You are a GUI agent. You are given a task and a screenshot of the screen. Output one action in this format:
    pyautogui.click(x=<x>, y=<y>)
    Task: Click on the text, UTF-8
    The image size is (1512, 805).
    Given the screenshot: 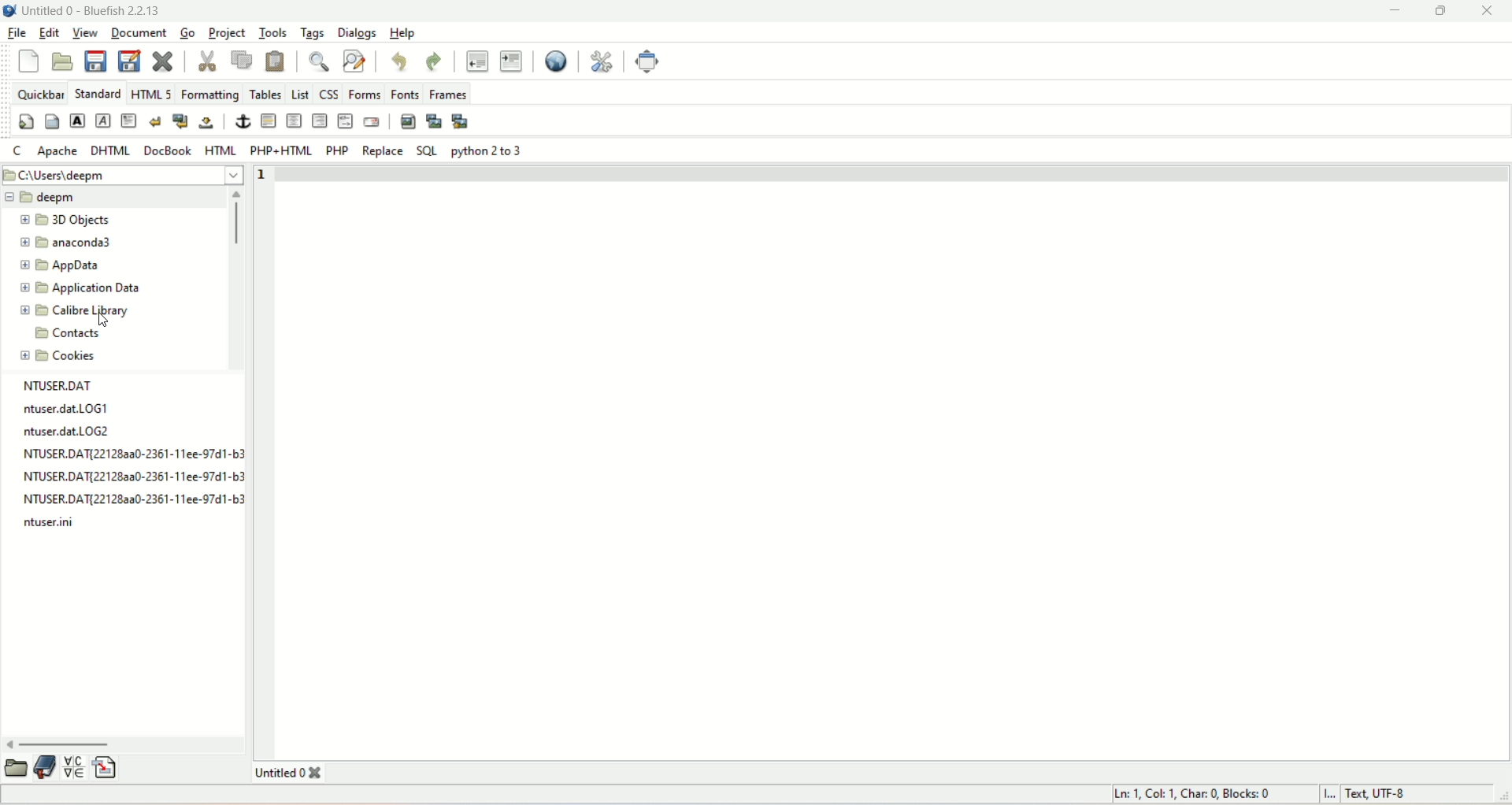 What is the action you would take?
    pyautogui.click(x=1401, y=794)
    